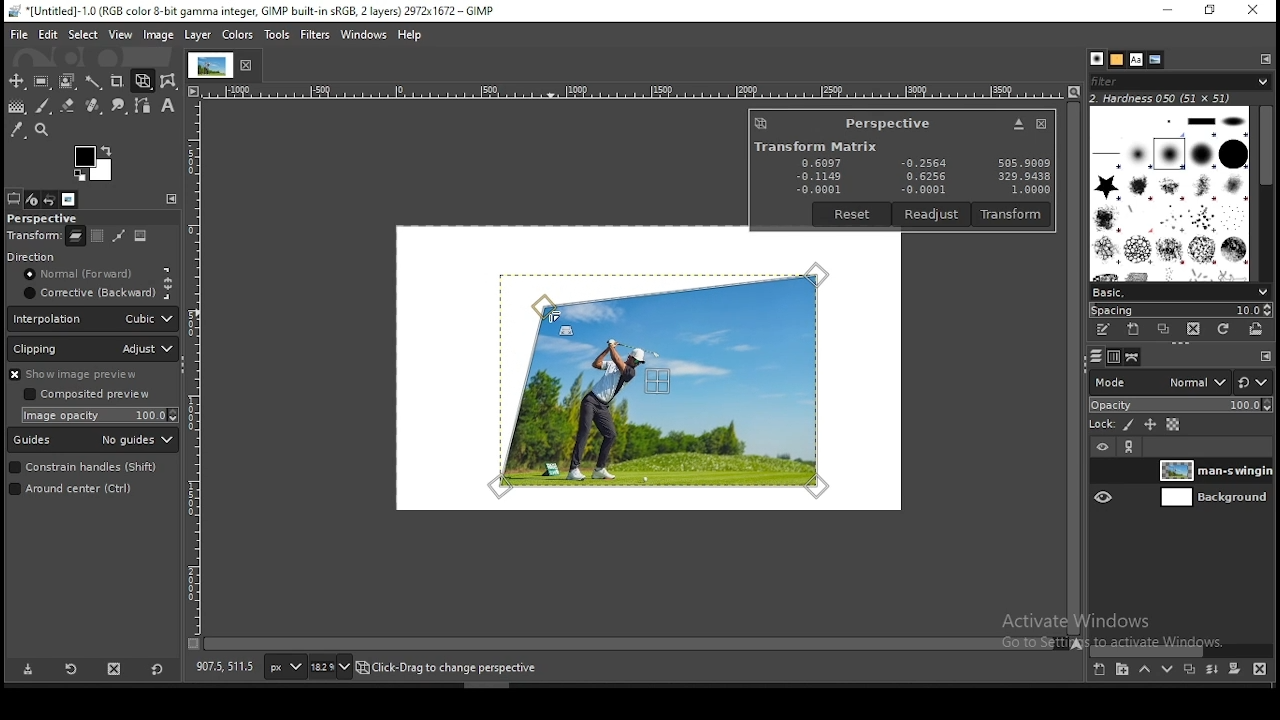  Describe the element at coordinates (90, 395) in the screenshot. I see `composite preview` at that location.